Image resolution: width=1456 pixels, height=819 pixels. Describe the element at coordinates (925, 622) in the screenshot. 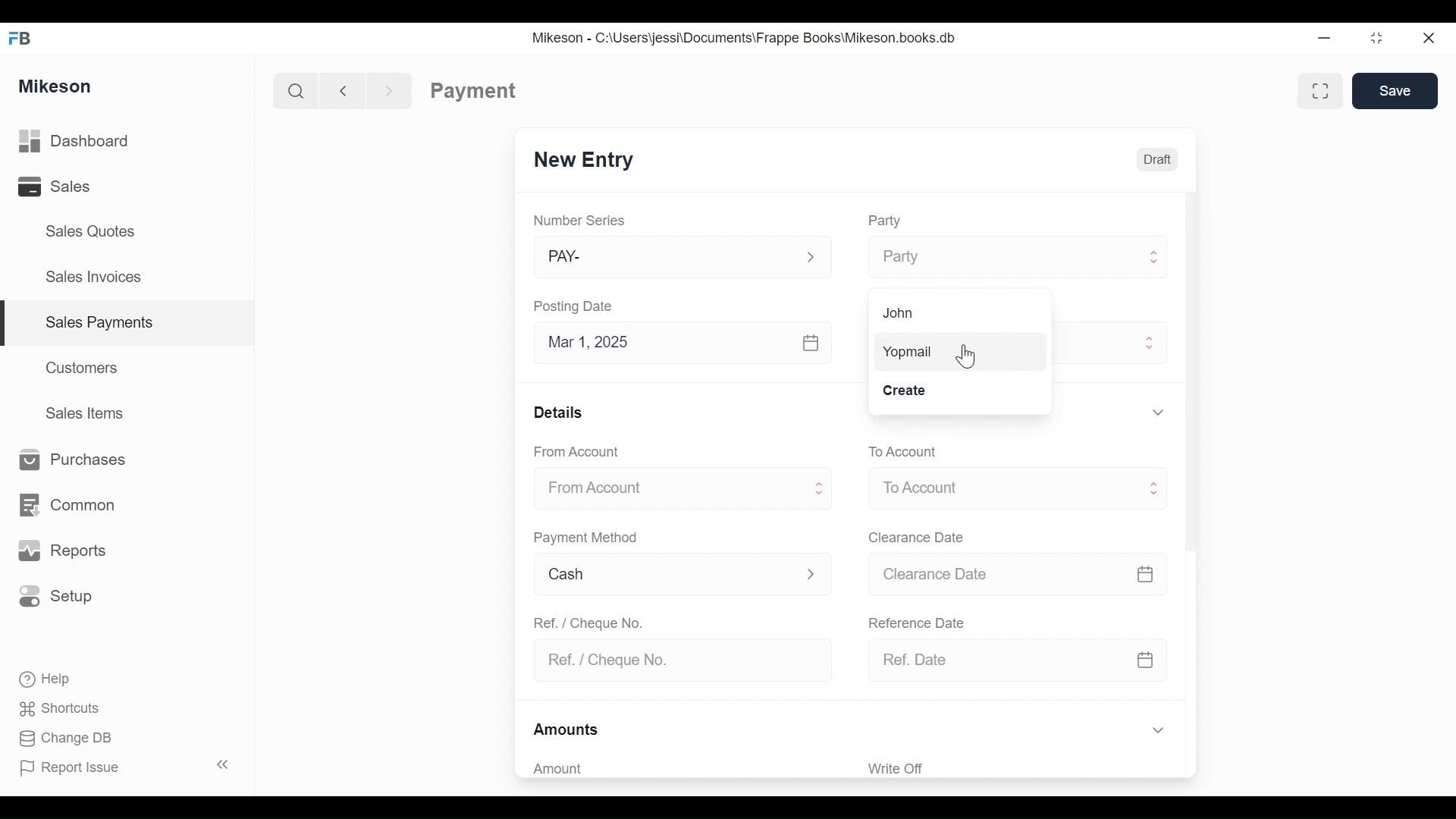

I see `Reference date` at that location.